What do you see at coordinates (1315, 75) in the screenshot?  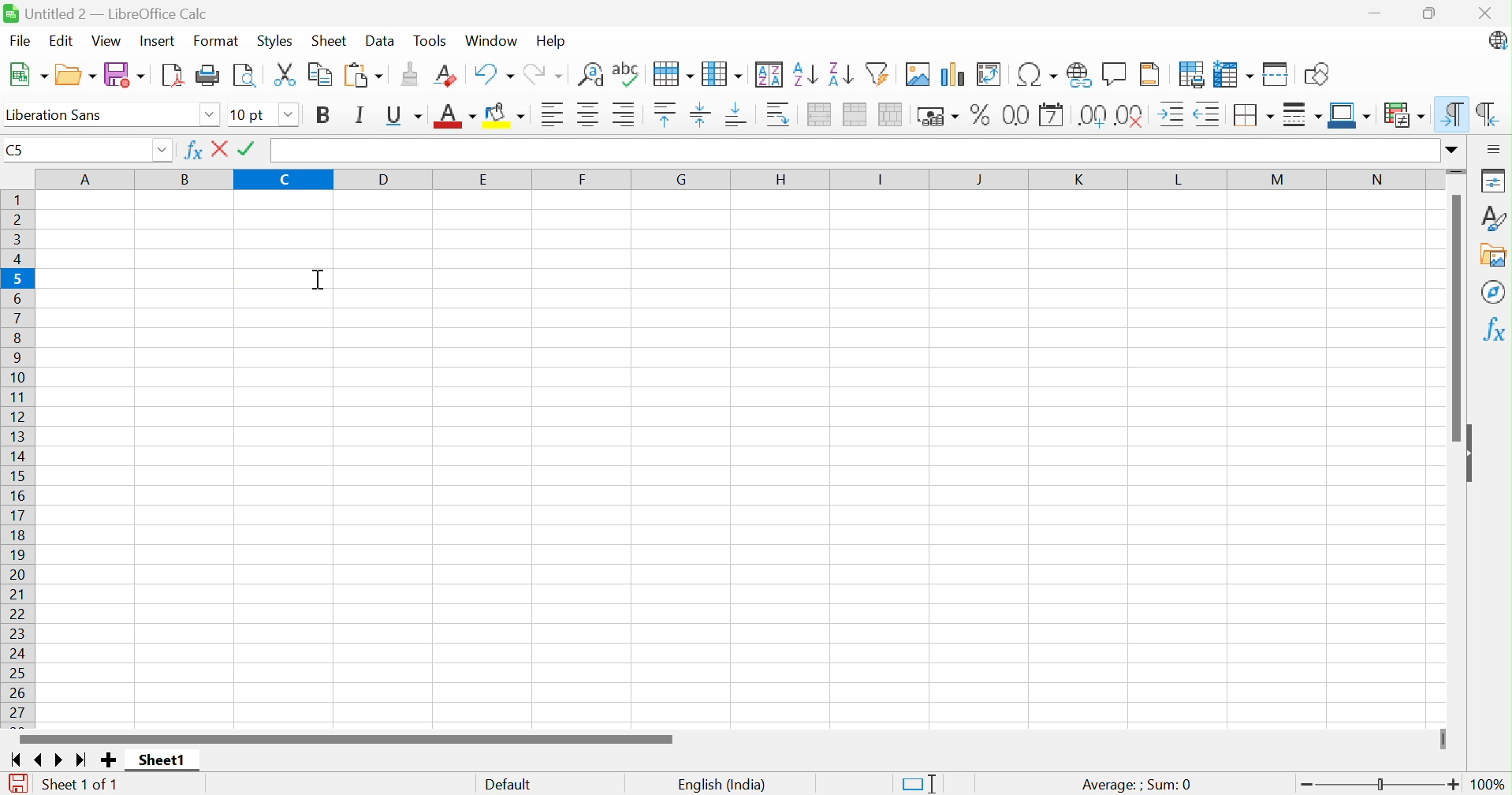 I see `Show draw functions` at bounding box center [1315, 75].